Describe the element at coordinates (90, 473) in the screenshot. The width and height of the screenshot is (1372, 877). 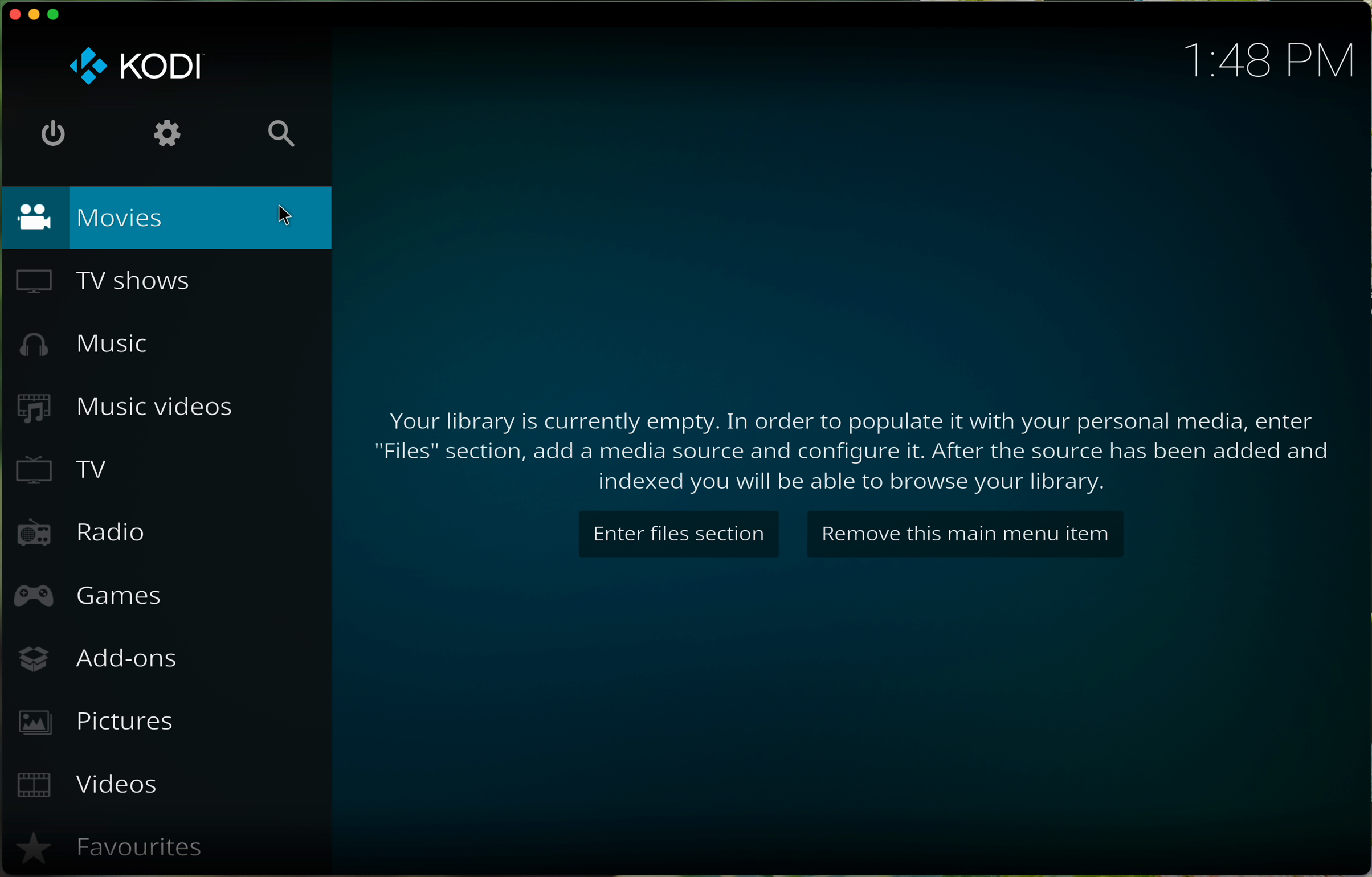
I see `tv` at that location.